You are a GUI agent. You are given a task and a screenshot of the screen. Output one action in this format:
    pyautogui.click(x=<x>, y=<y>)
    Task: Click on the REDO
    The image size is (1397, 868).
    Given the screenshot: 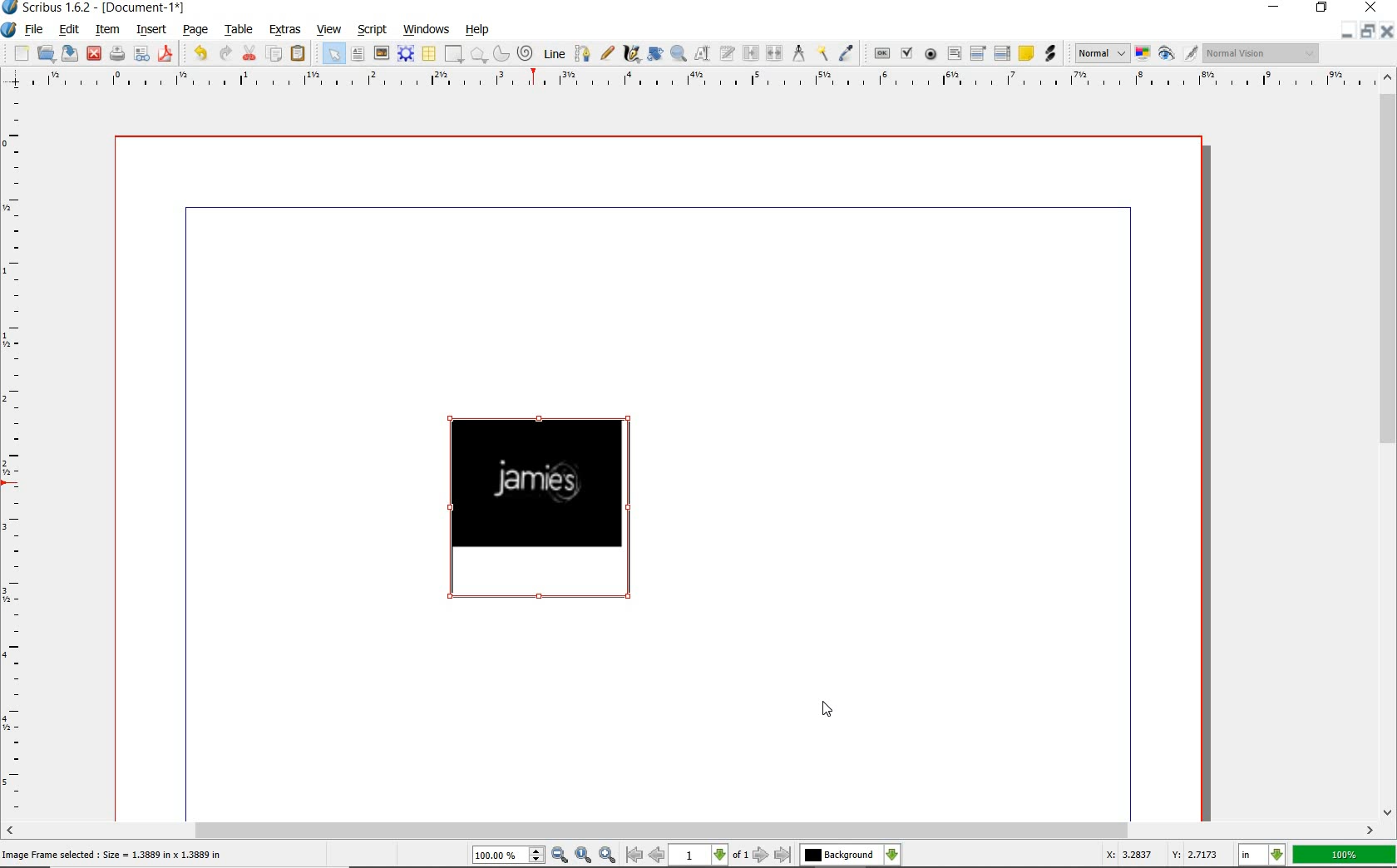 What is the action you would take?
    pyautogui.click(x=199, y=53)
    